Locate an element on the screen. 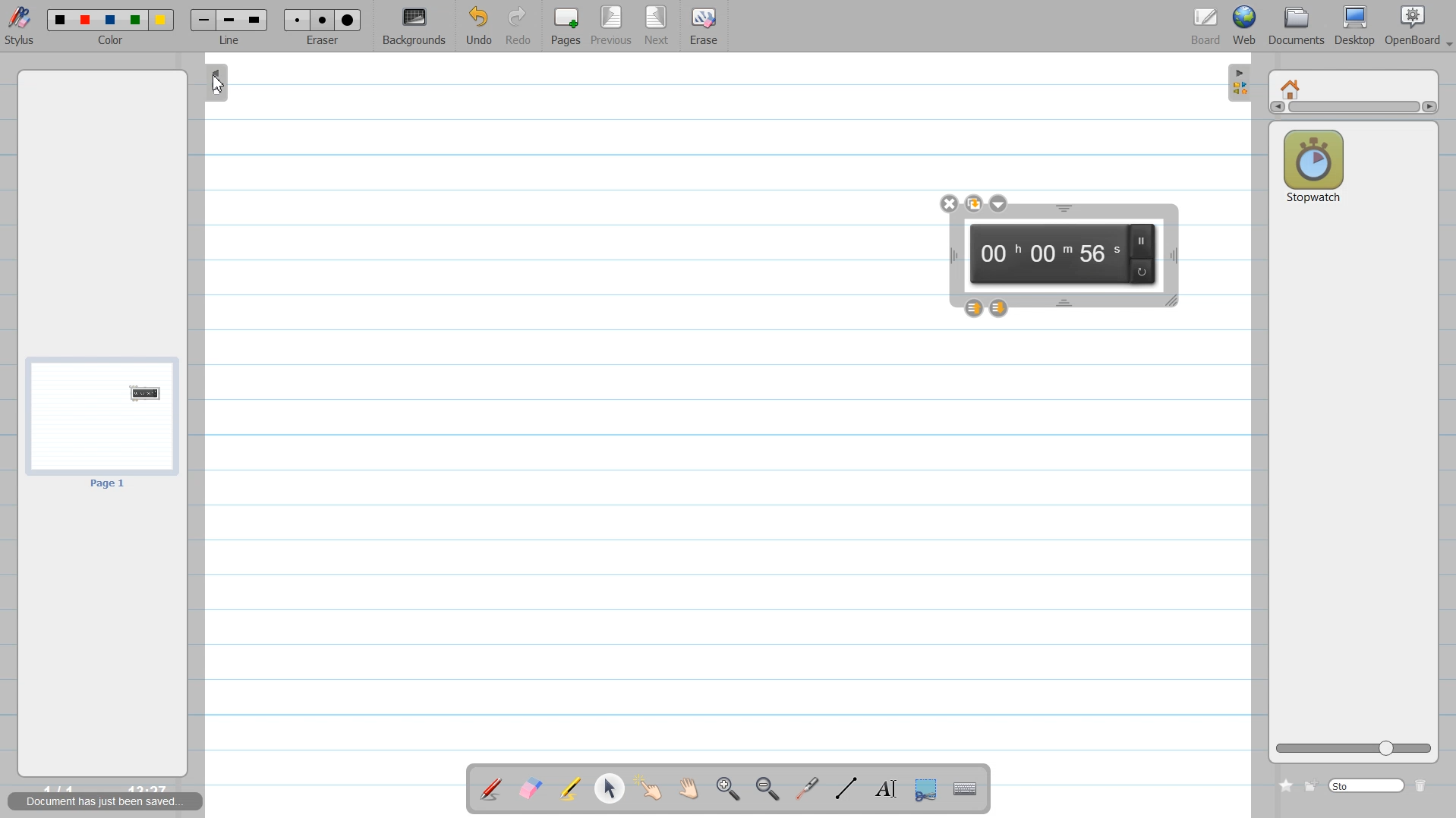  00 is located at coordinates (1049, 256).